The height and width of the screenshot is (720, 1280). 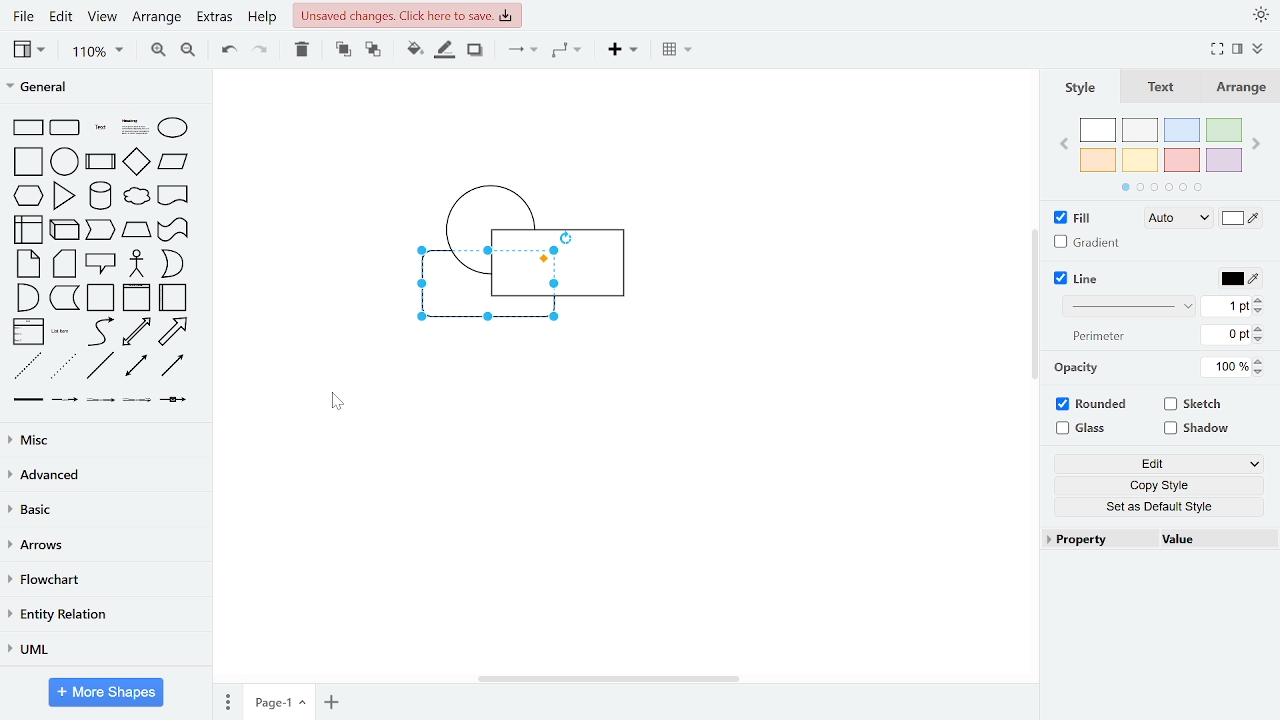 What do you see at coordinates (1256, 142) in the screenshot?
I see `next` at bounding box center [1256, 142].